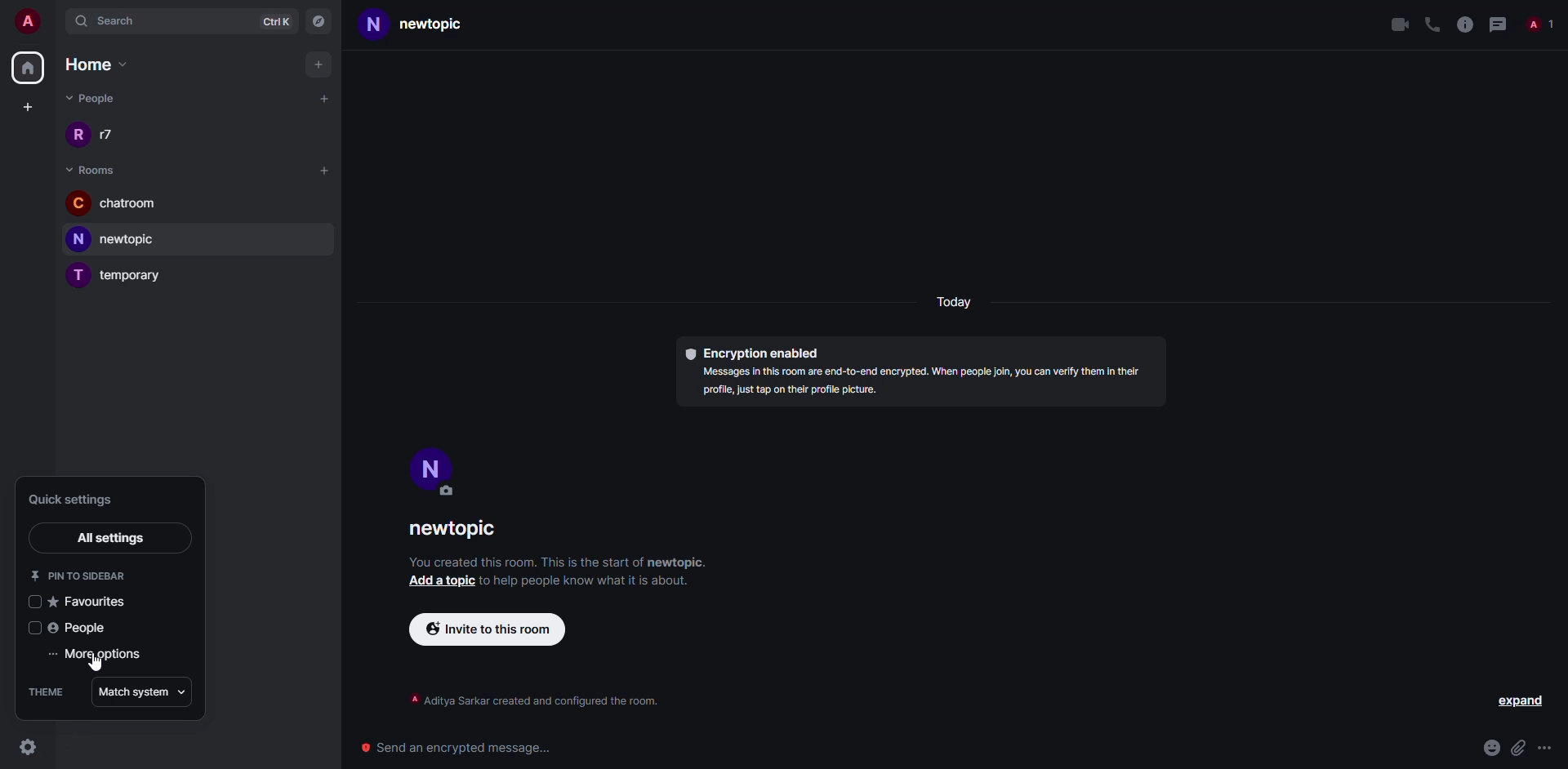  What do you see at coordinates (25, 22) in the screenshot?
I see `account` at bounding box center [25, 22].